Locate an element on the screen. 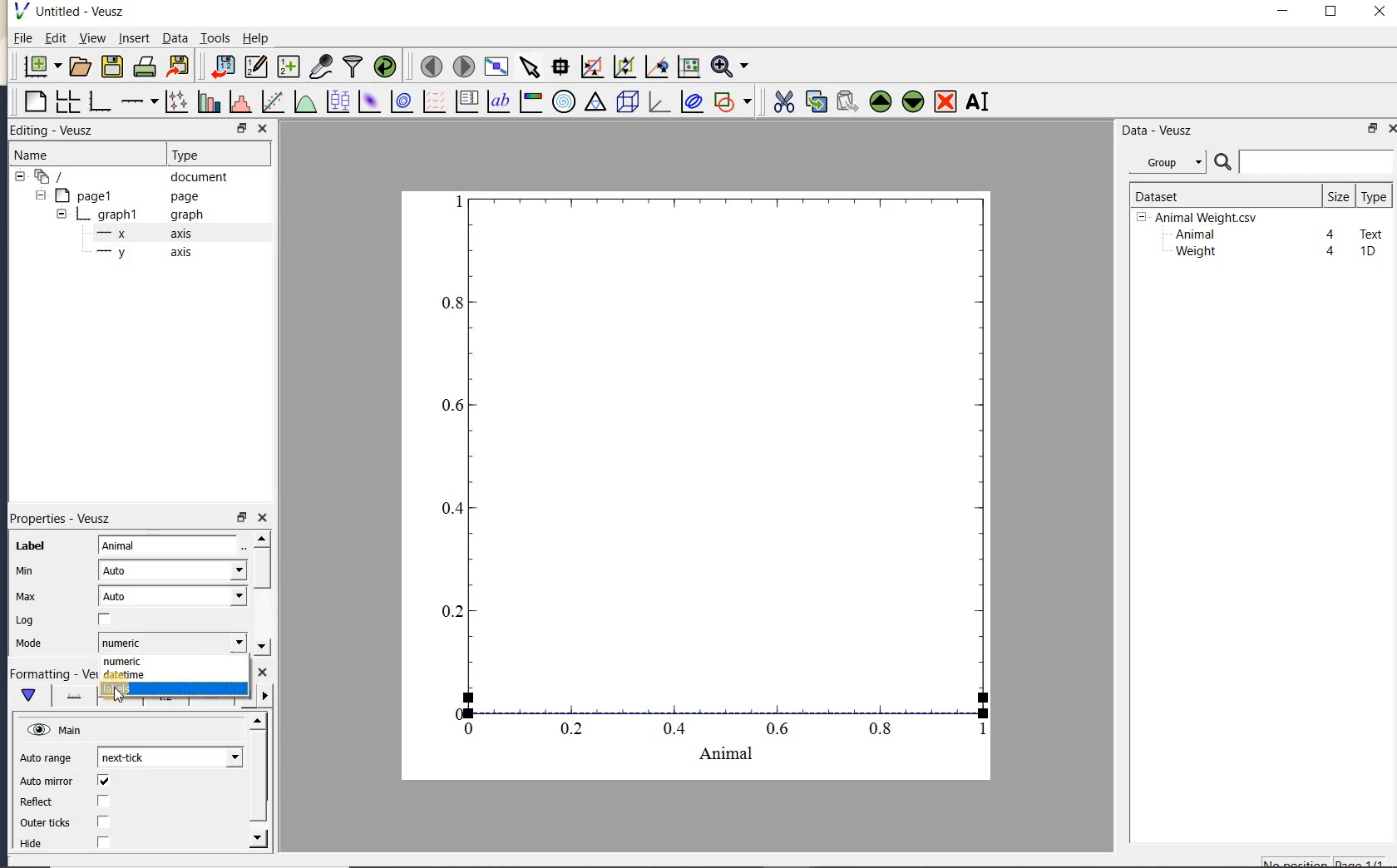  remove the selected widget is located at coordinates (944, 103).